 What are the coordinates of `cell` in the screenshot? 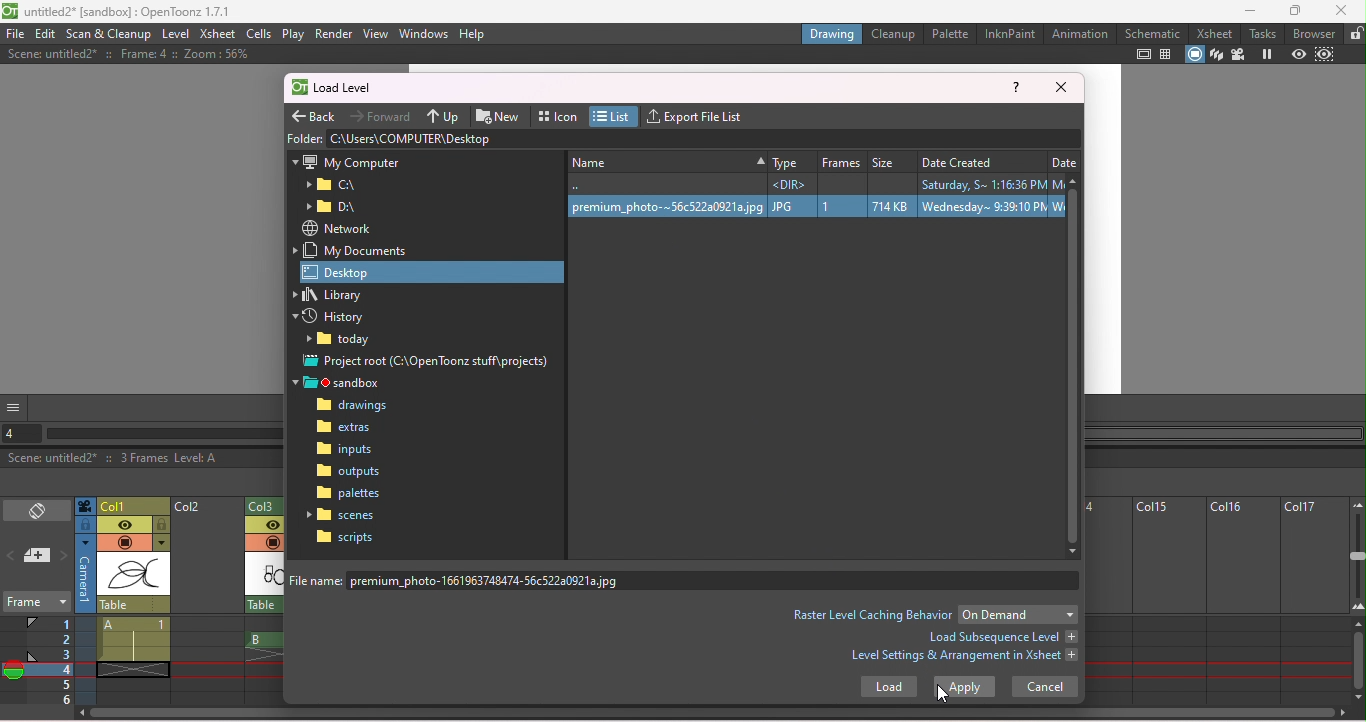 It's located at (130, 669).